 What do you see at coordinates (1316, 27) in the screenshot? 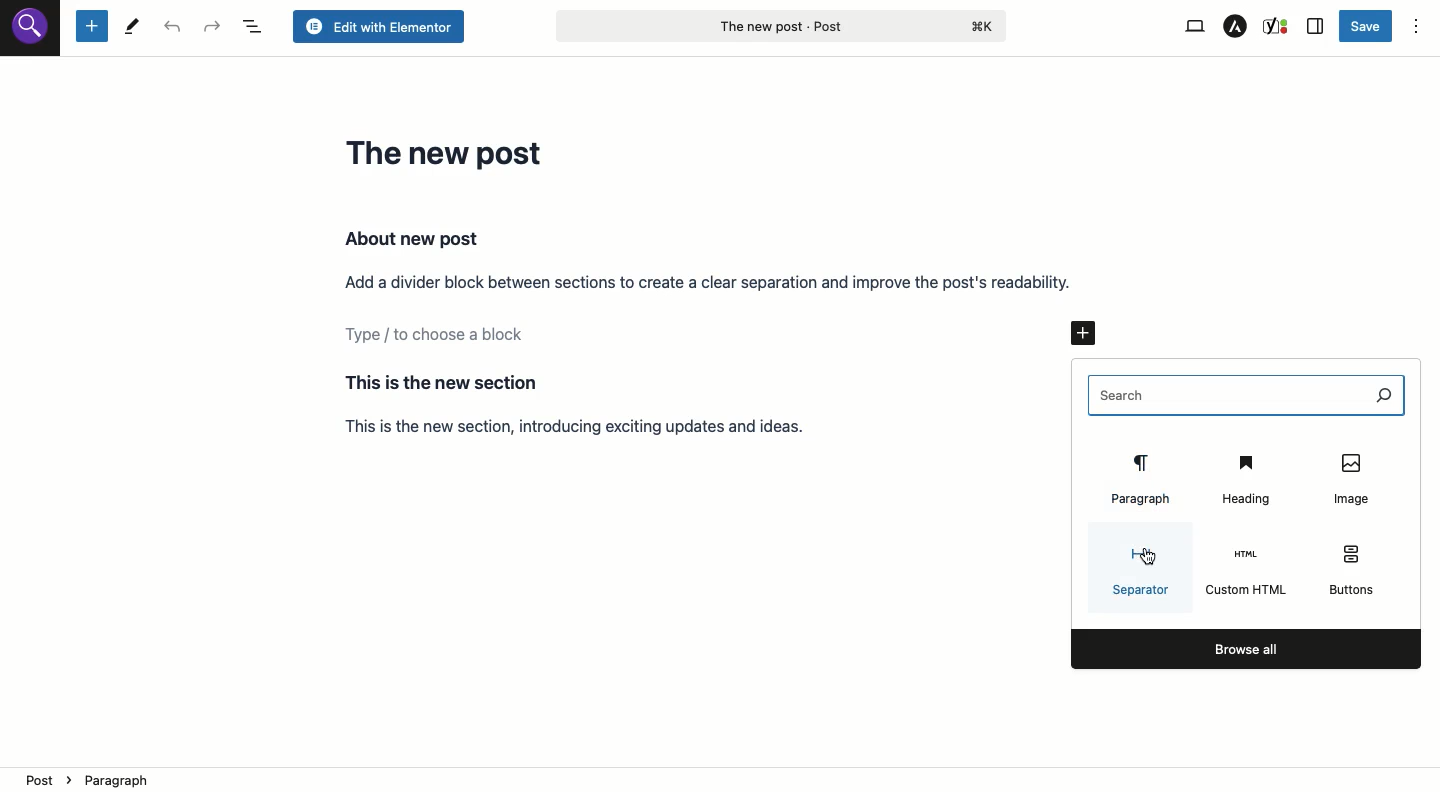
I see `Sidebar` at bounding box center [1316, 27].